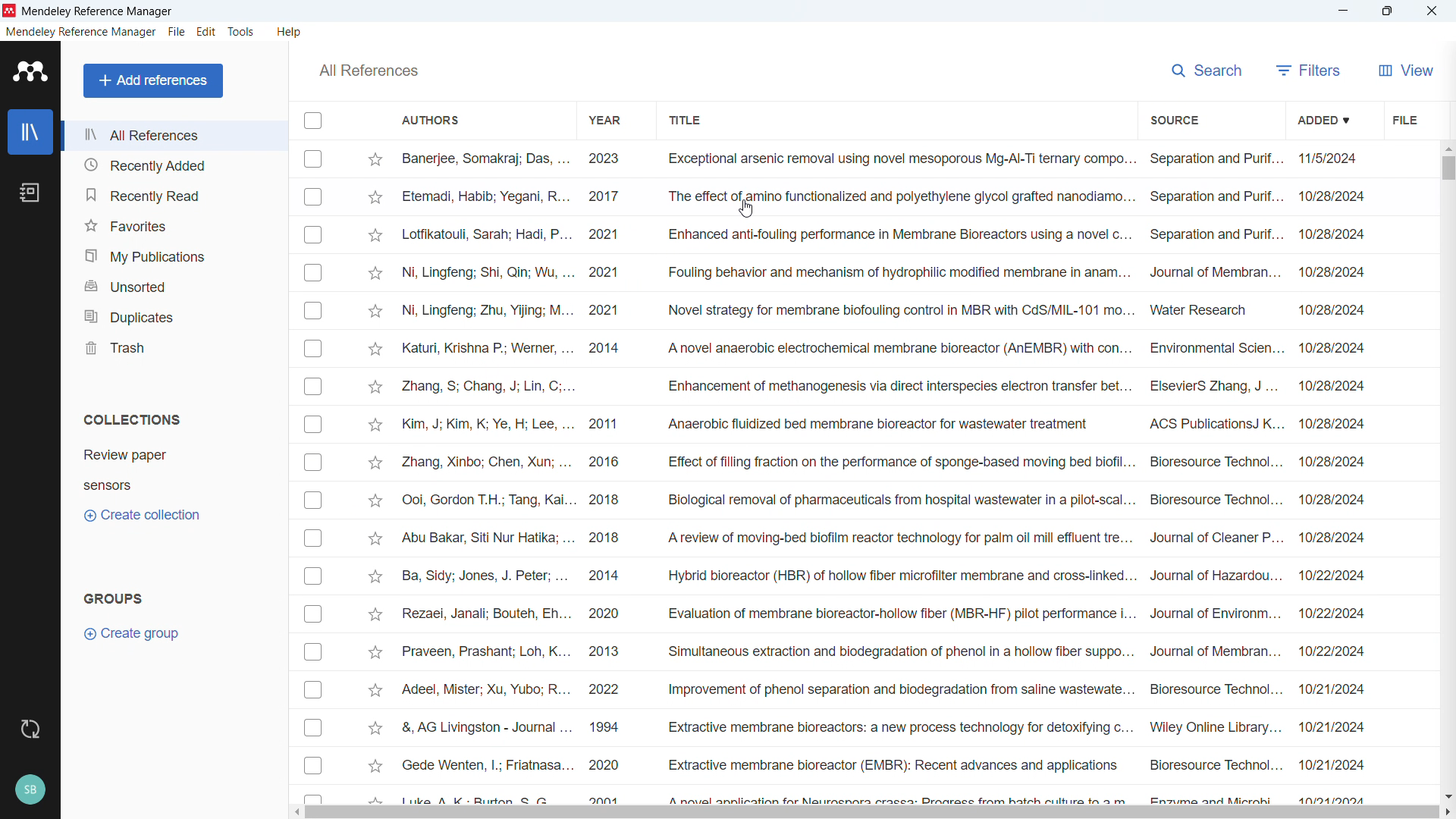 Image resolution: width=1456 pixels, height=819 pixels. What do you see at coordinates (369, 71) in the screenshot?
I see `all references` at bounding box center [369, 71].